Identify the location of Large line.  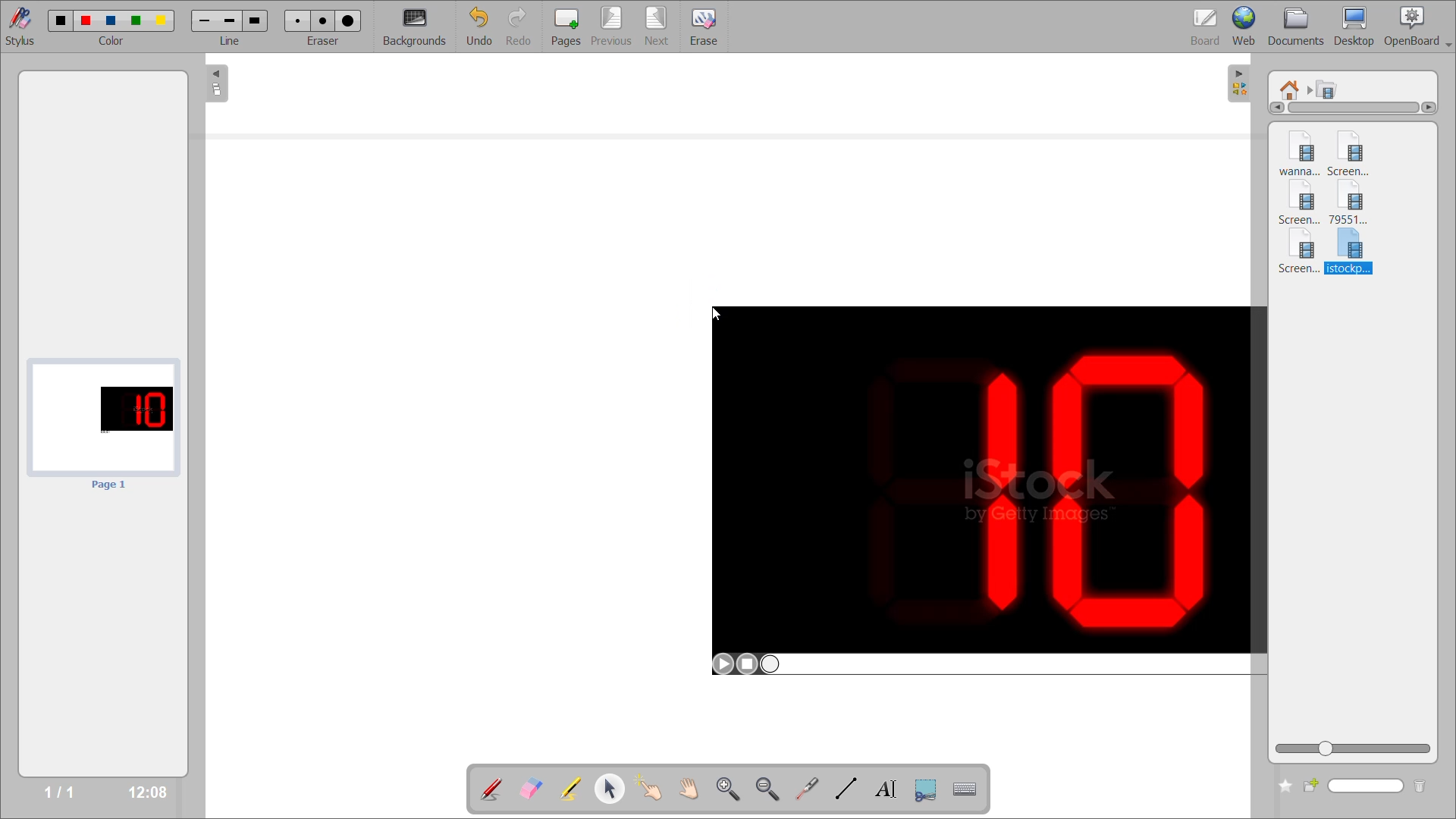
(257, 19).